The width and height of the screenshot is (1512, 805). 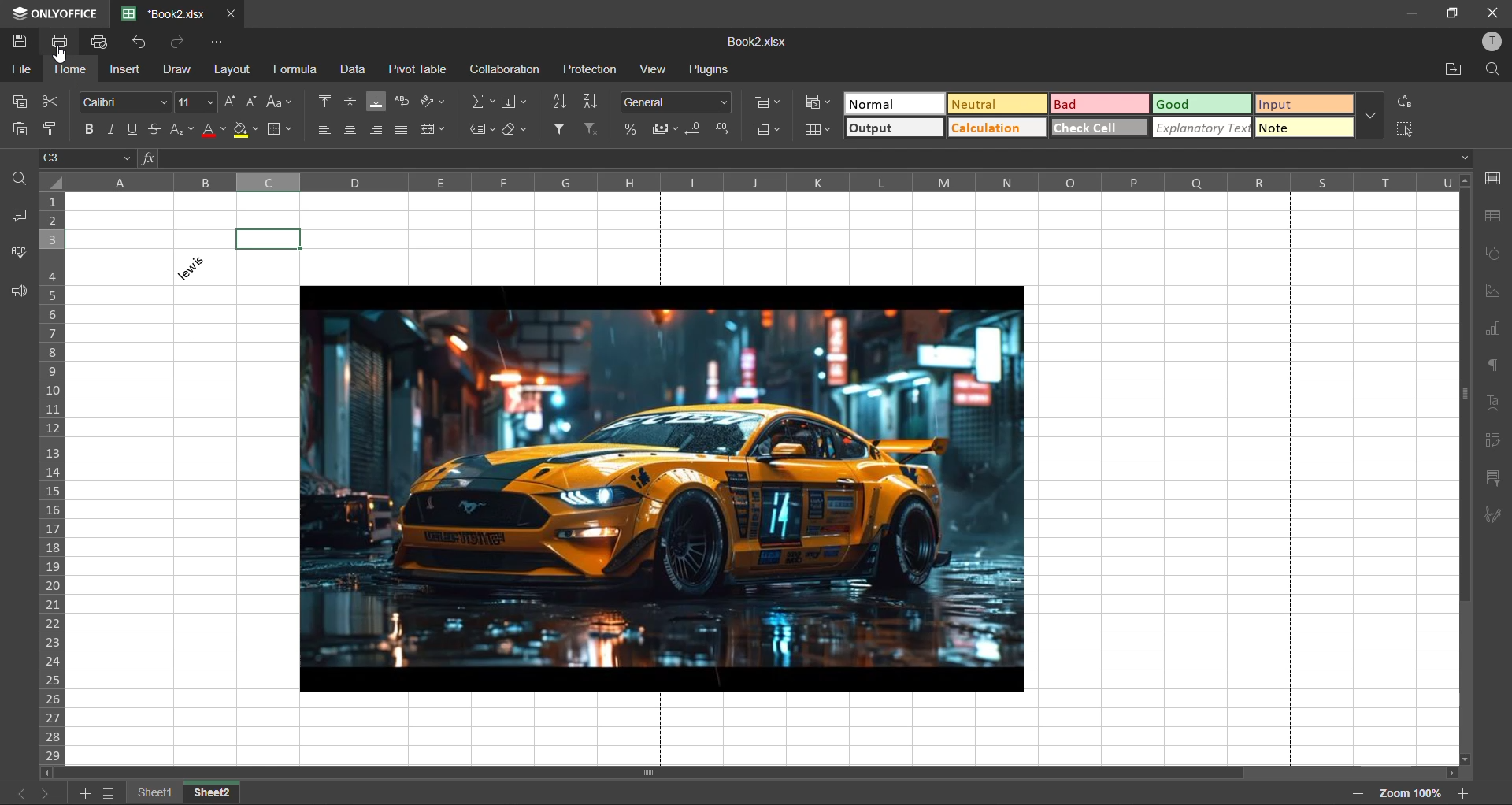 What do you see at coordinates (769, 103) in the screenshot?
I see `insert cells` at bounding box center [769, 103].